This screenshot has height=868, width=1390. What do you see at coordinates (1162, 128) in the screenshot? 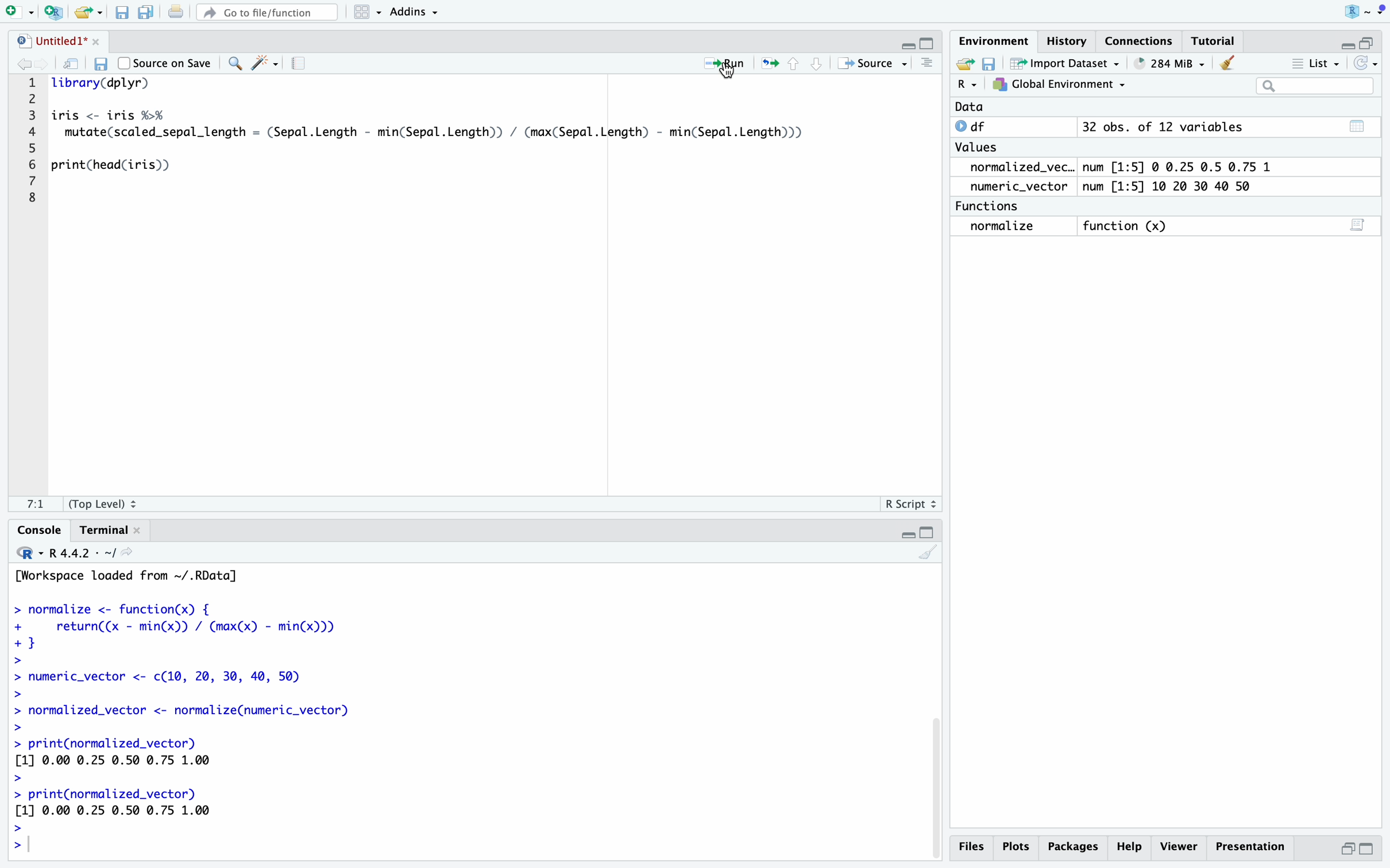
I see `32 obs. of 12 variables` at bounding box center [1162, 128].